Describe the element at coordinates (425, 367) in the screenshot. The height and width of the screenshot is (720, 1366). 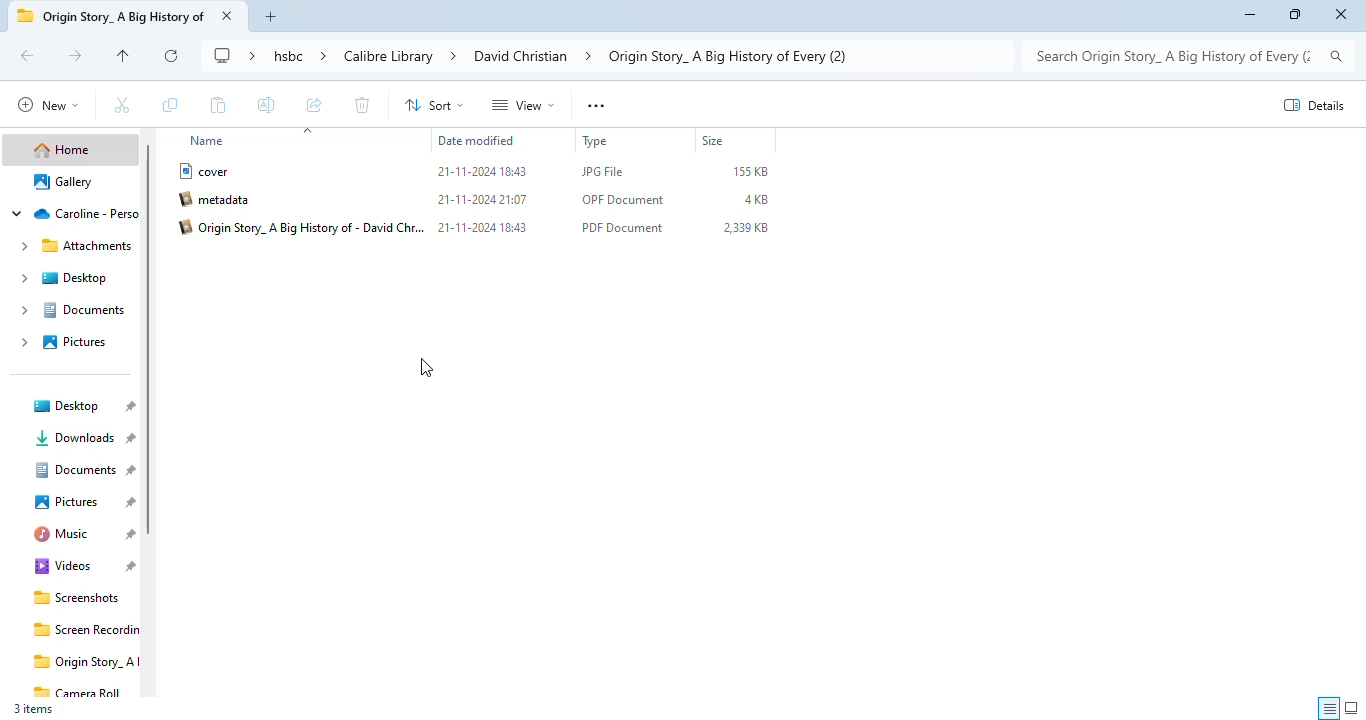
I see `cursor` at that location.